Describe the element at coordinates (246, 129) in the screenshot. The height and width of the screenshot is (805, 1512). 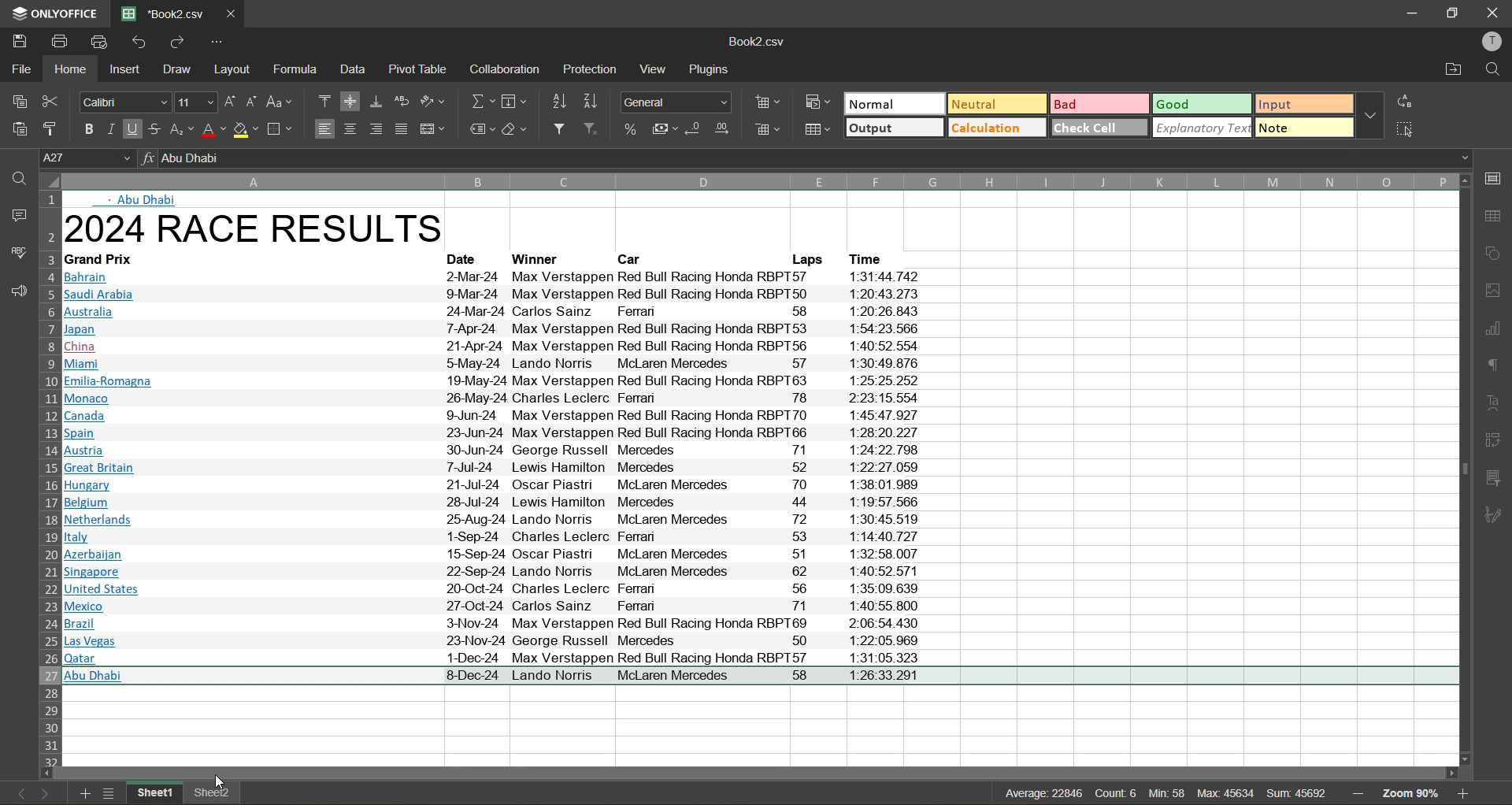
I see `fill color` at that location.